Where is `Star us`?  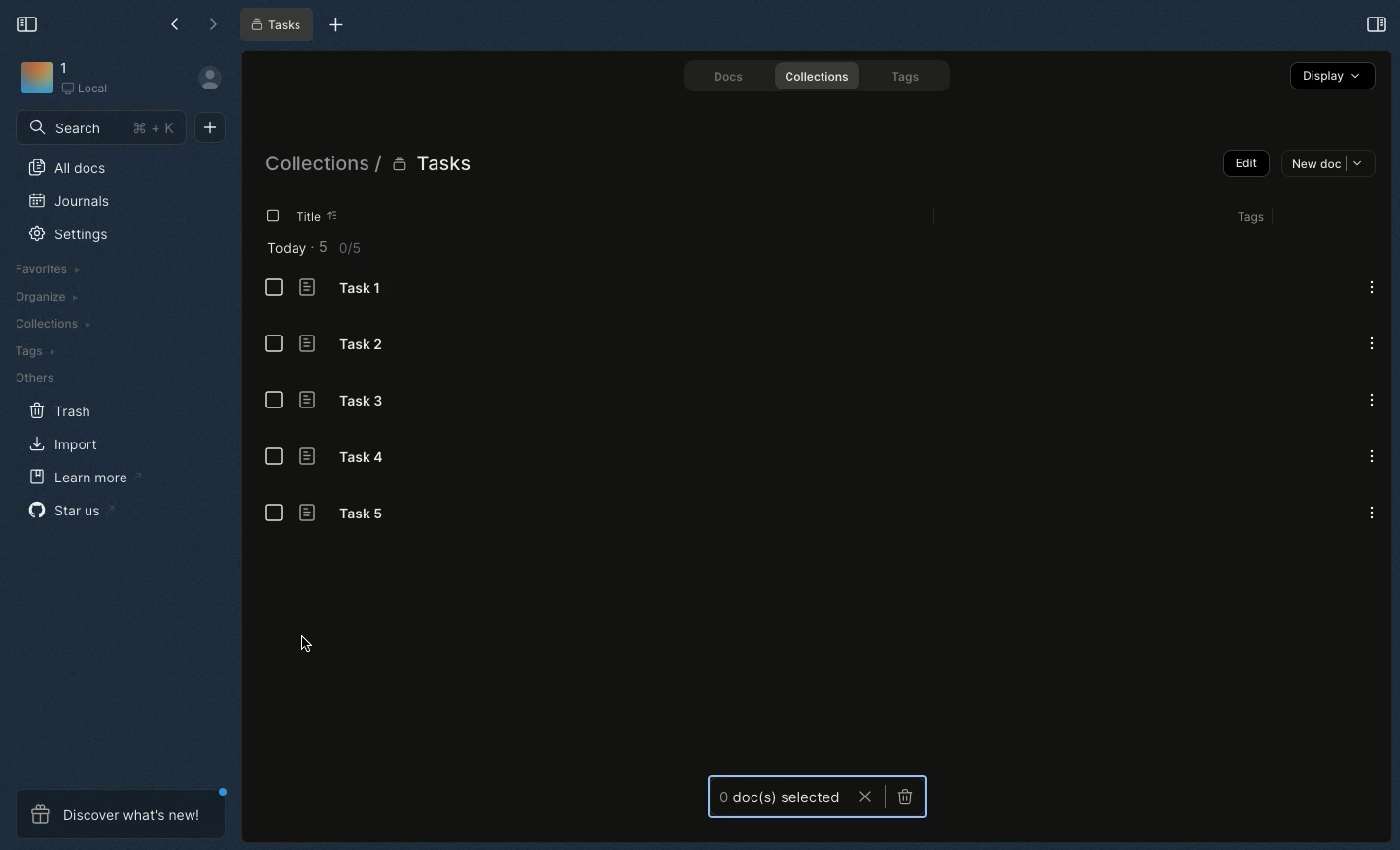
Star us is located at coordinates (66, 509).